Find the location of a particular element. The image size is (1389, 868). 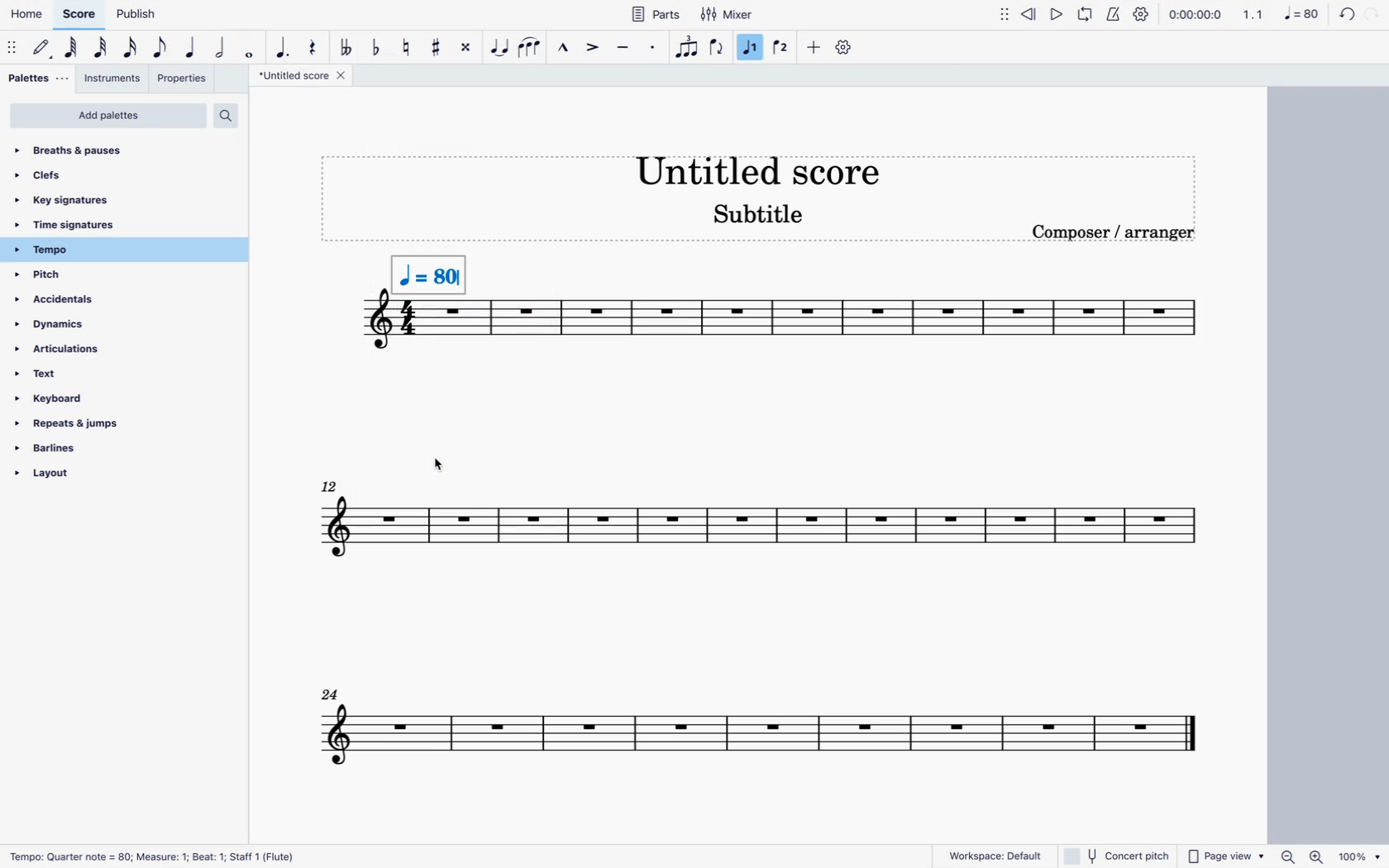

move is located at coordinates (1004, 16).